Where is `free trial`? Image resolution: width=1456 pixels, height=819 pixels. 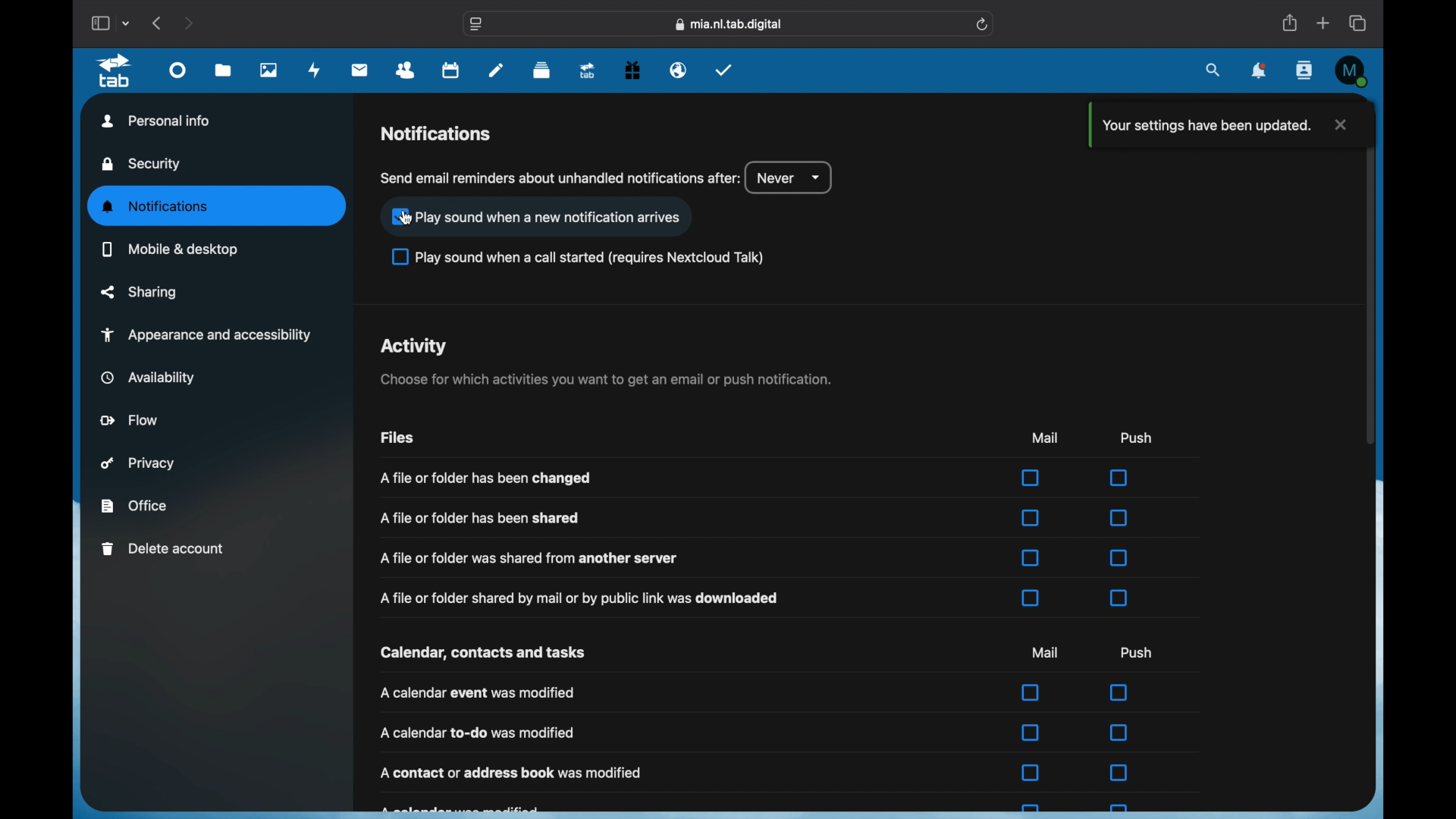
free trial is located at coordinates (632, 70).